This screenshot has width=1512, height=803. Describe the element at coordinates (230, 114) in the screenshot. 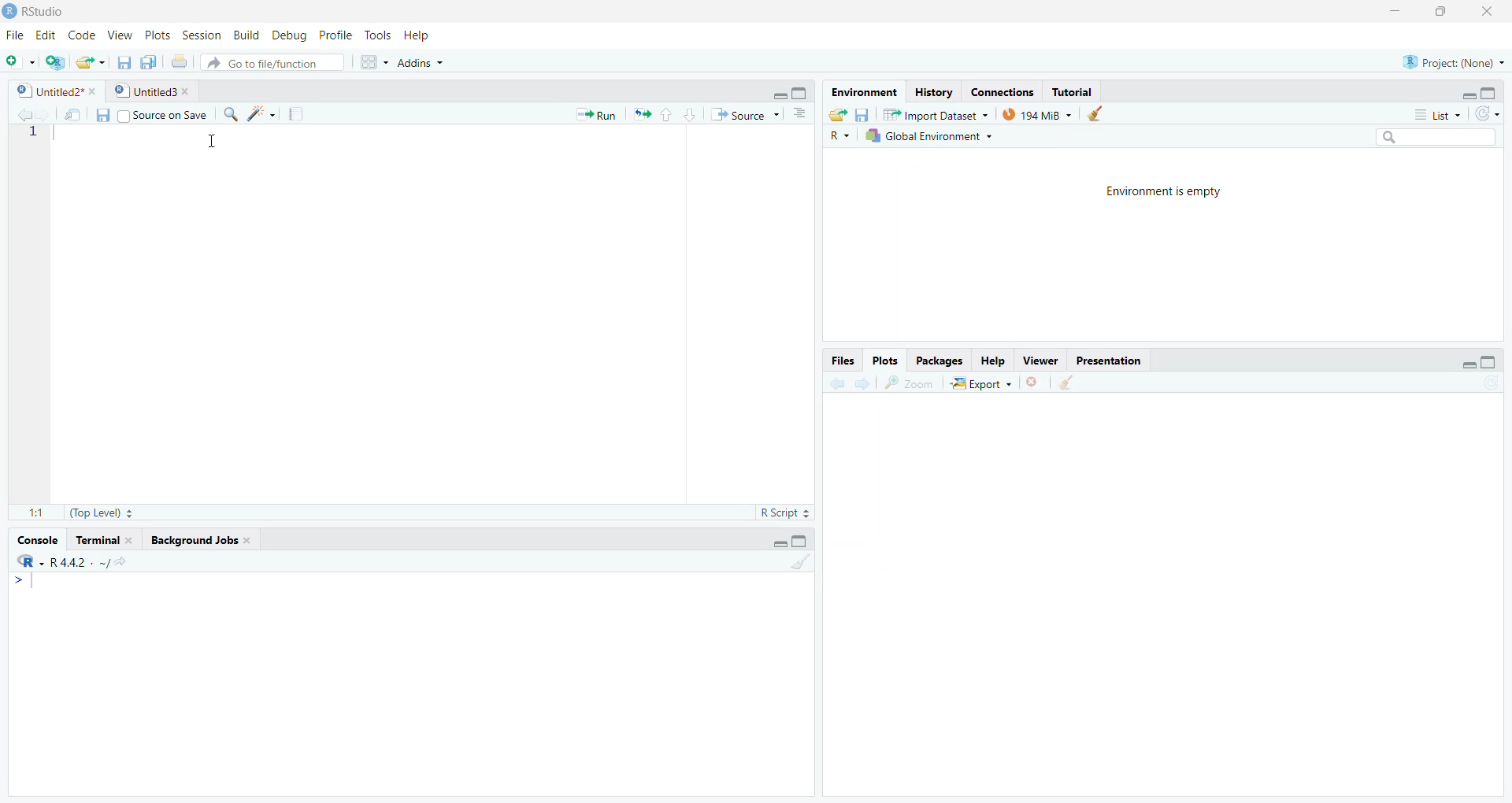

I see `search` at that location.